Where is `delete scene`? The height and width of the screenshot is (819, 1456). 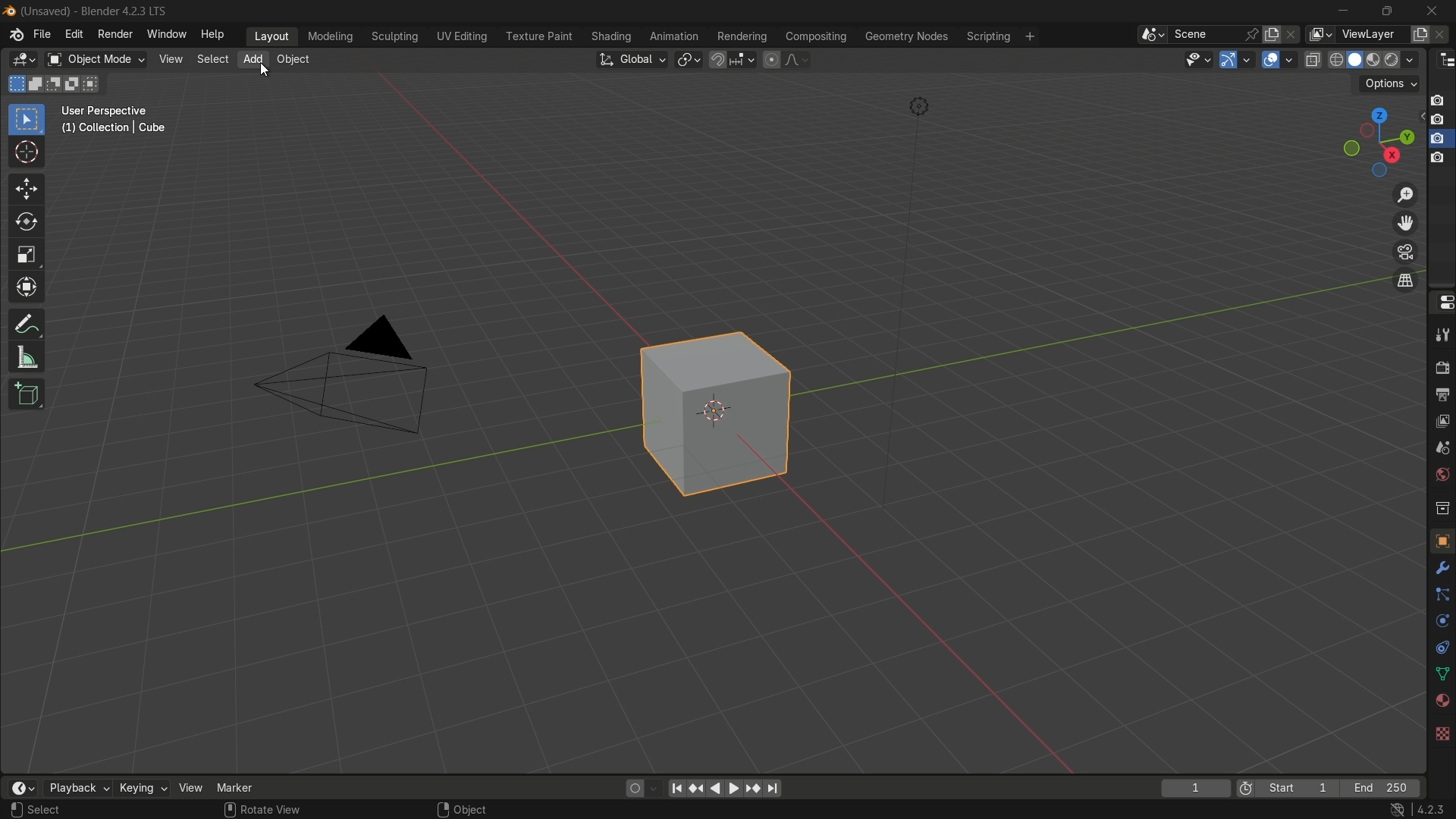 delete scene is located at coordinates (1293, 34).